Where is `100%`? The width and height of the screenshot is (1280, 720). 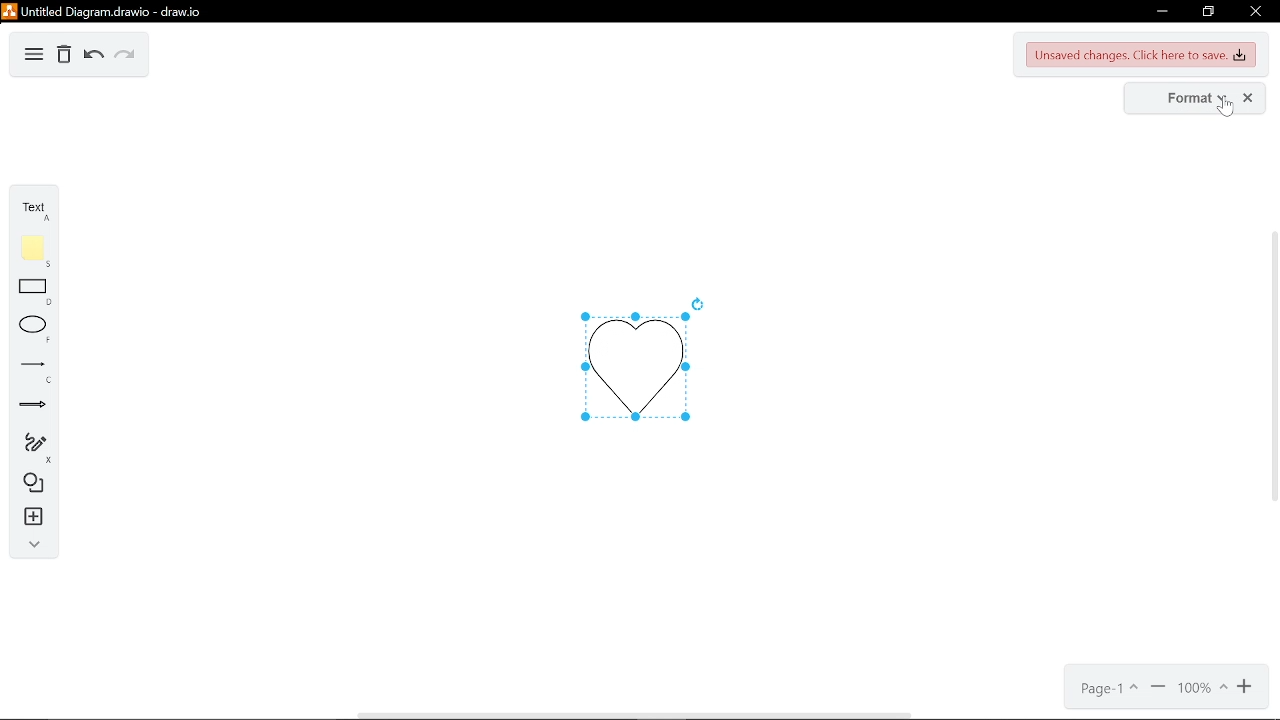
100% is located at coordinates (1205, 688).